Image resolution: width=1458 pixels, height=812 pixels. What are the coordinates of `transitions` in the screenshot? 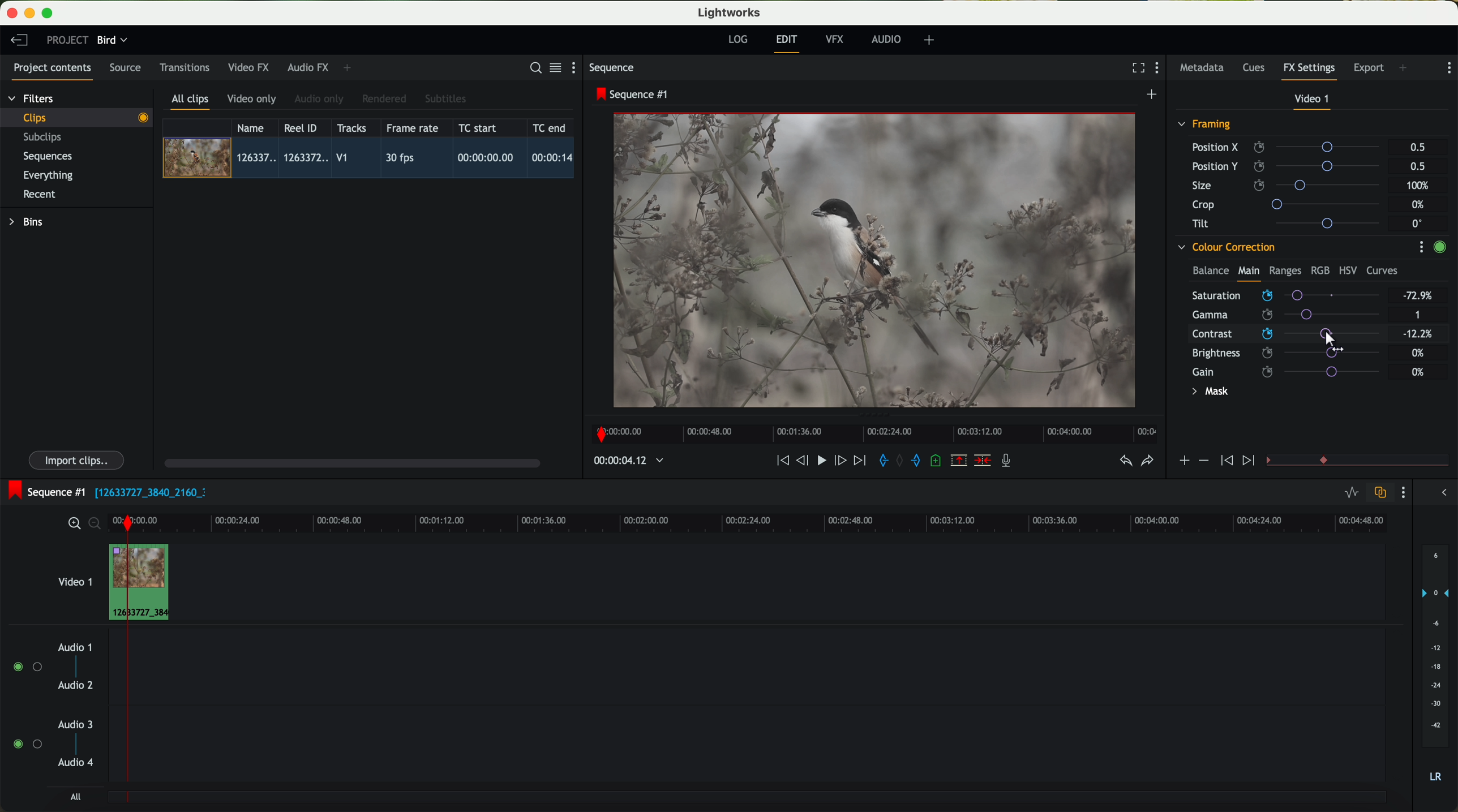 It's located at (184, 67).